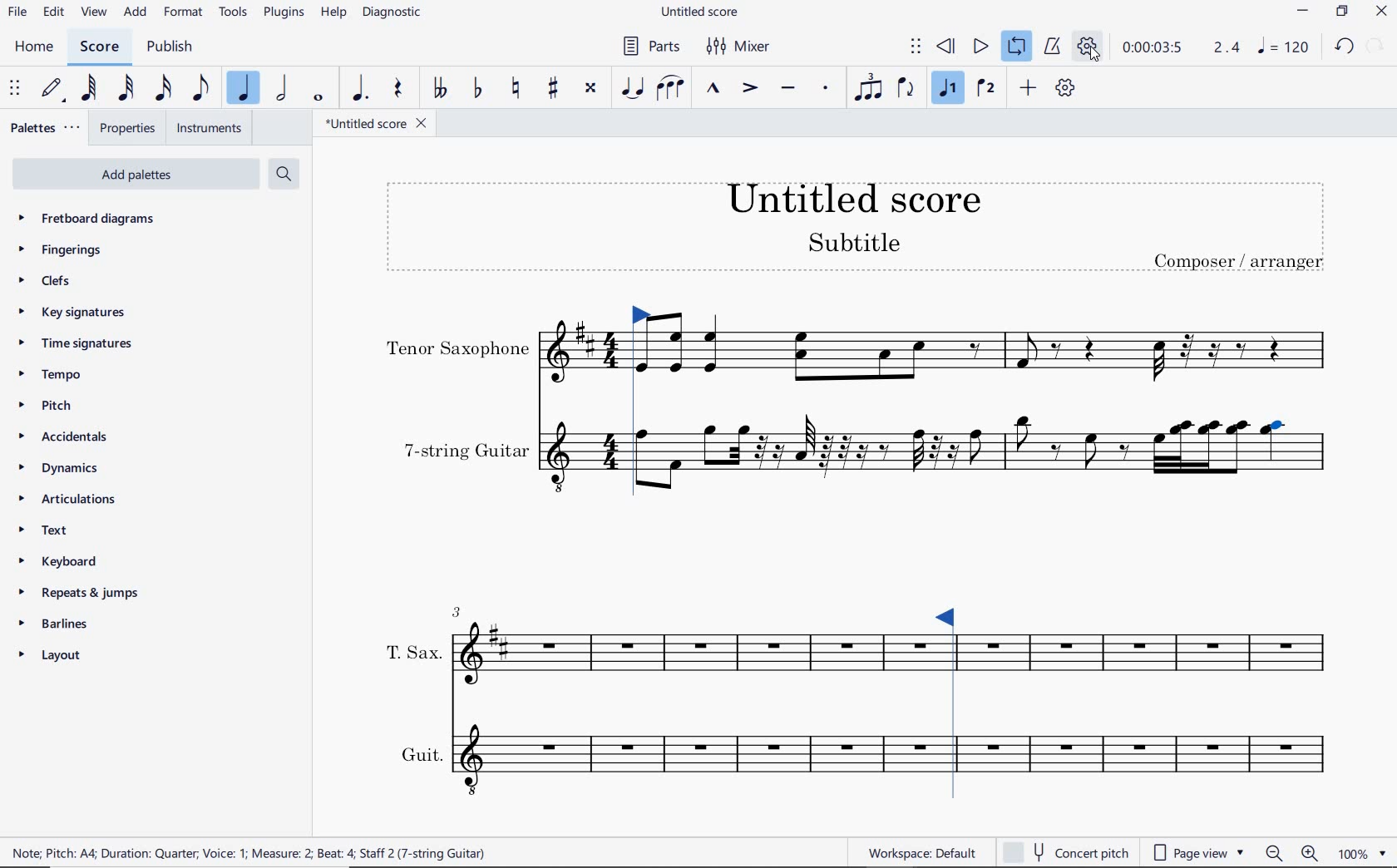 The width and height of the screenshot is (1397, 868). I want to click on AUGMENTATION DOT, so click(361, 89).